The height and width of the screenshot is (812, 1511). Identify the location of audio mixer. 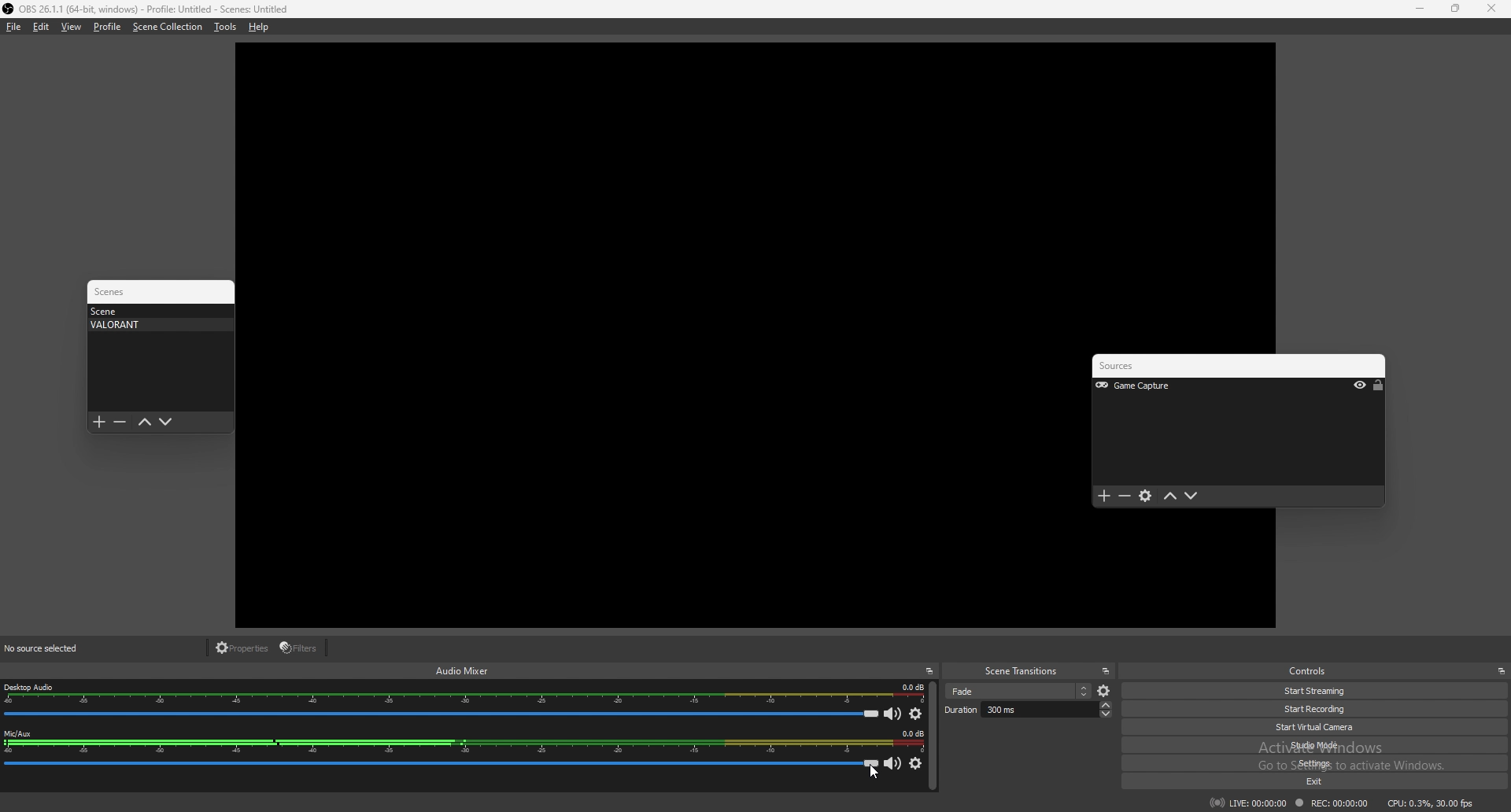
(463, 670).